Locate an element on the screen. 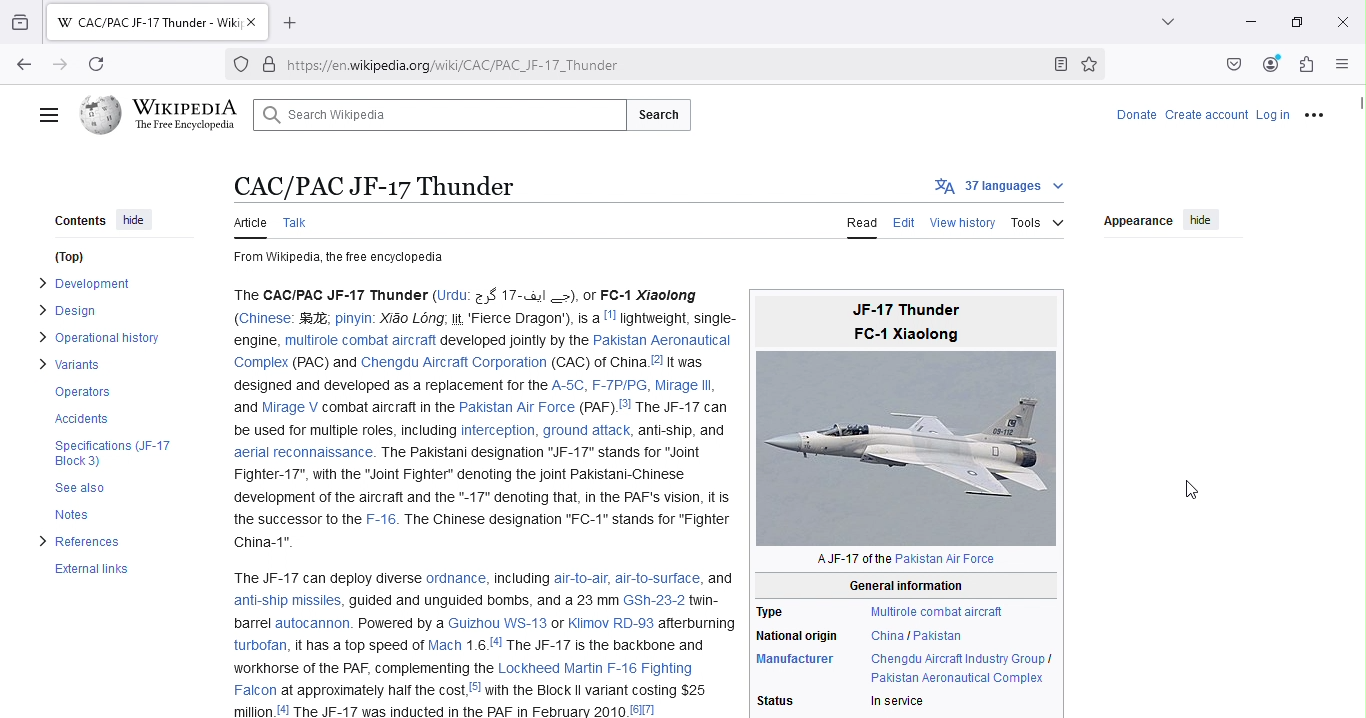 The width and height of the screenshot is (1366, 718). In service is located at coordinates (895, 701).